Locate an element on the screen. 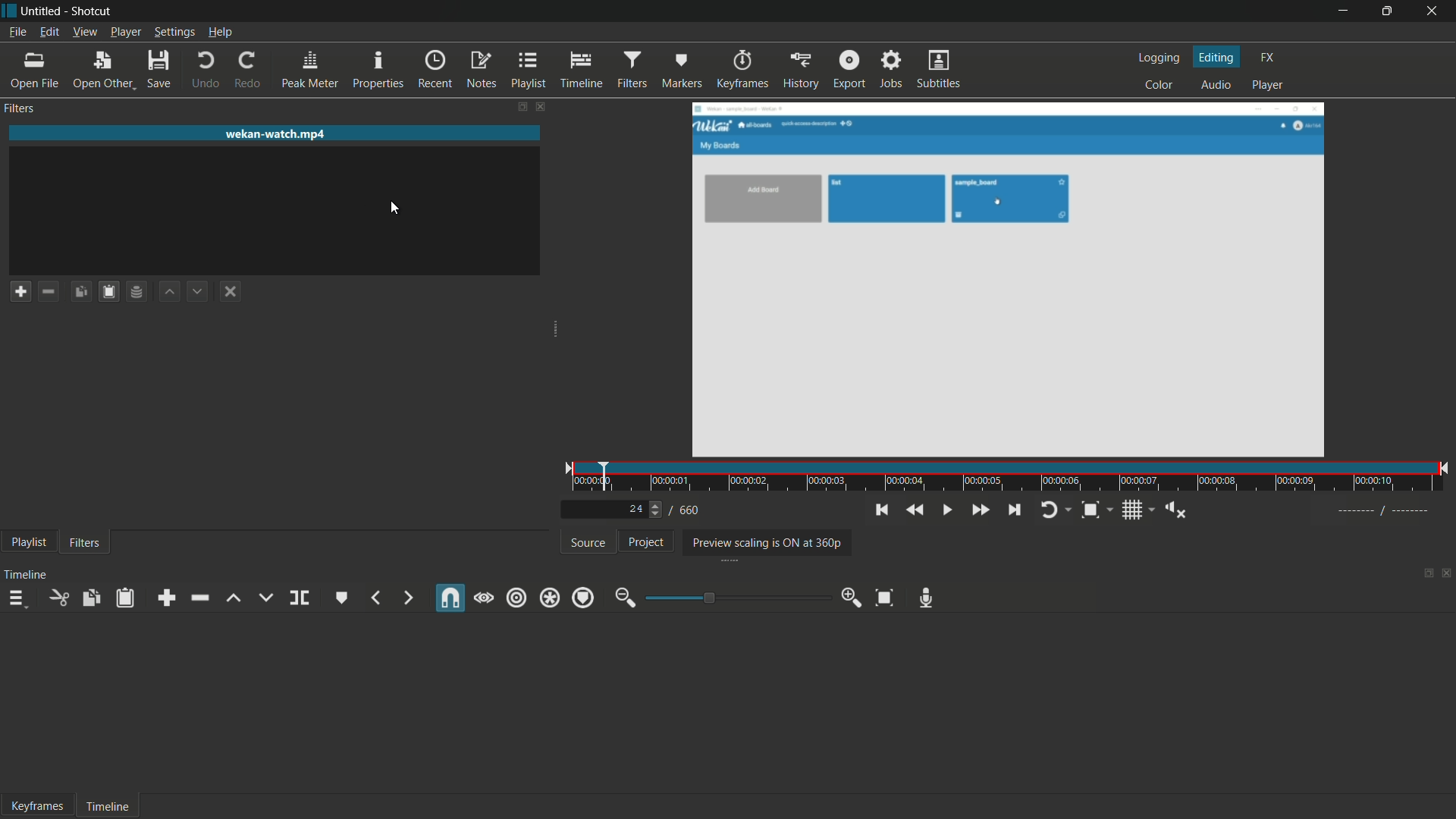  subtitles is located at coordinates (939, 71).